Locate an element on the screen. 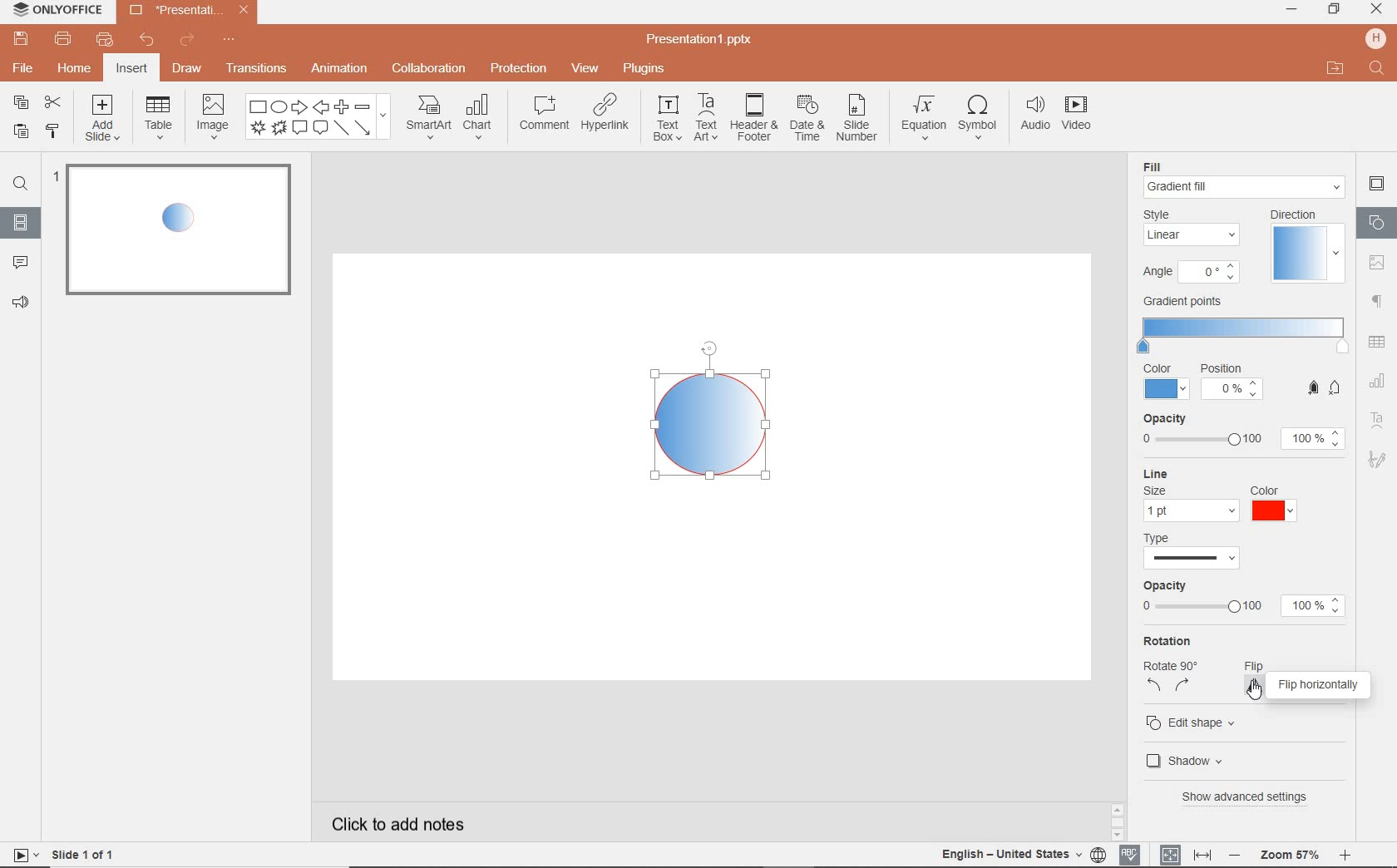  flip is located at coordinates (1270, 664).